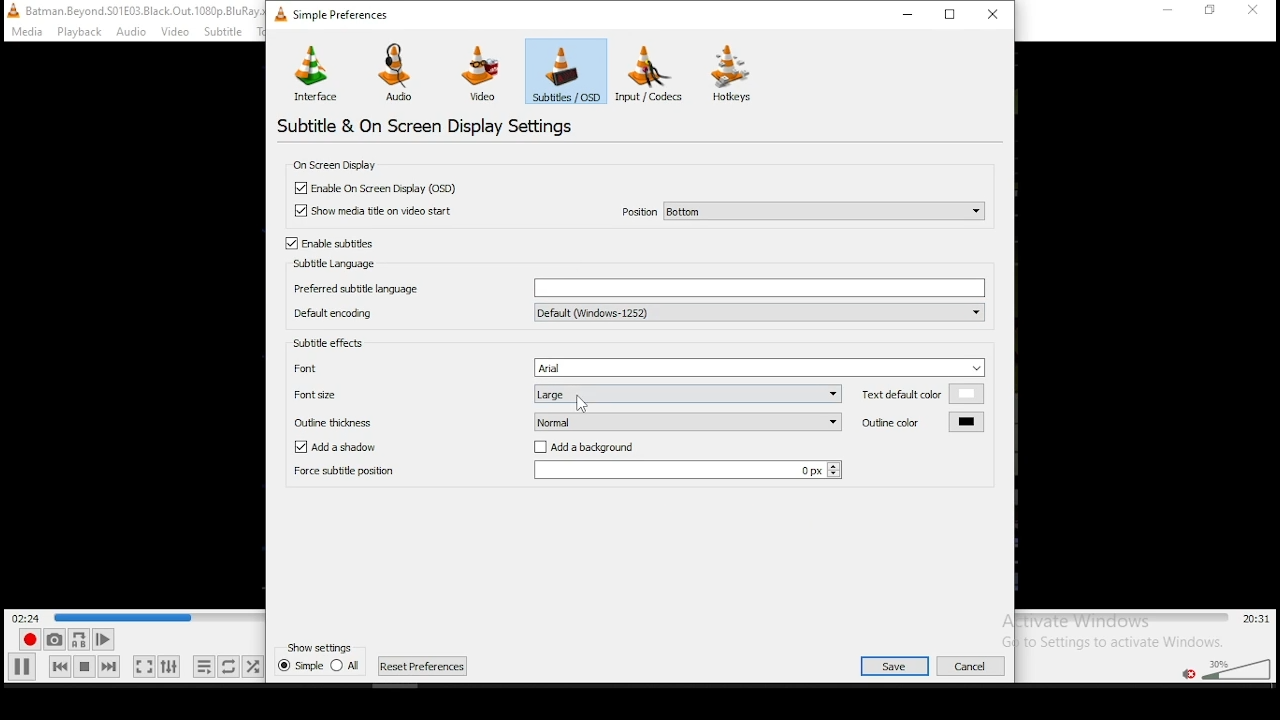  What do you see at coordinates (159, 617) in the screenshot?
I see `seek bar` at bounding box center [159, 617].